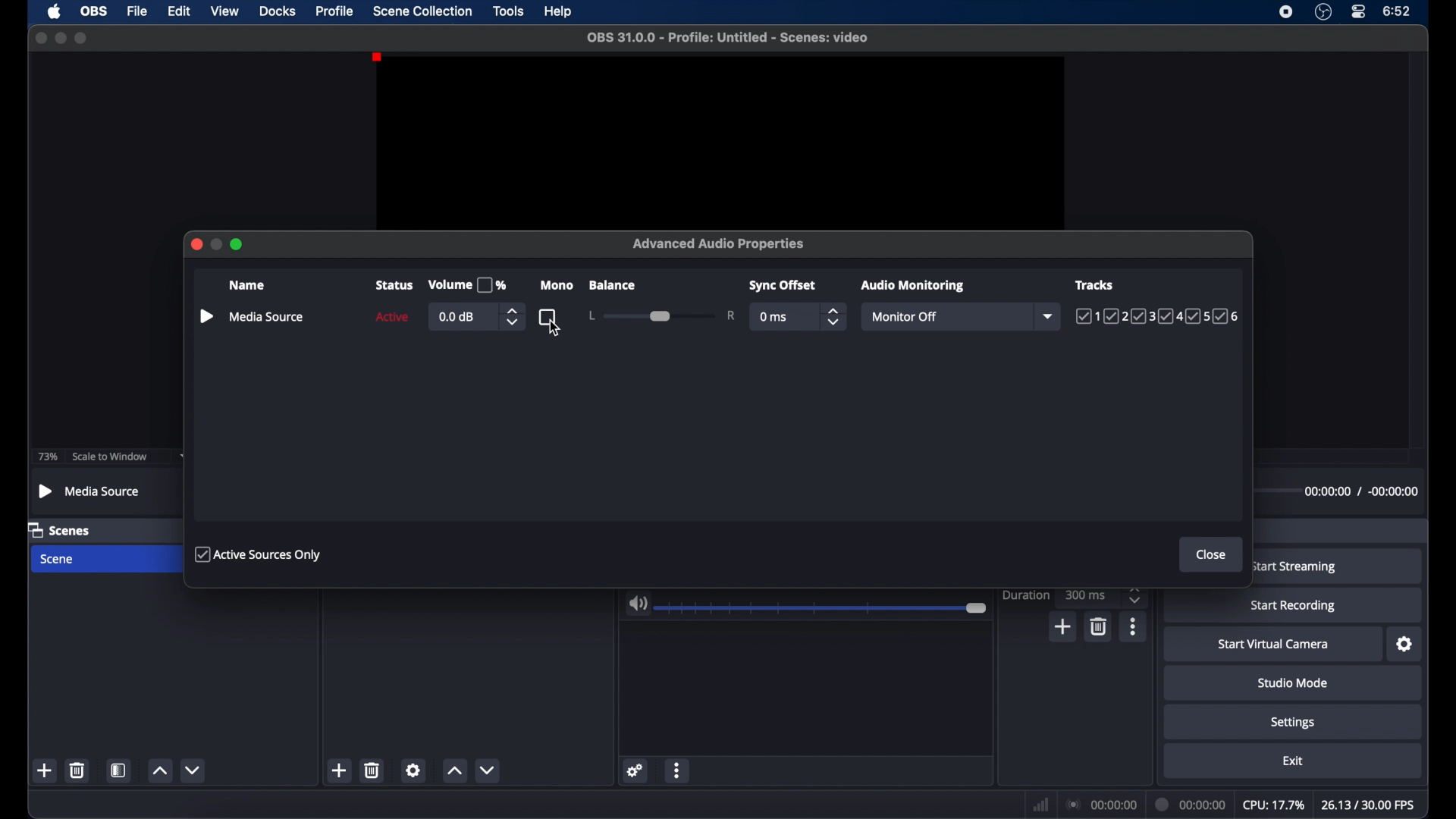 The width and height of the screenshot is (1456, 819). Describe the element at coordinates (1360, 491) in the screenshot. I see `timestamps` at that location.